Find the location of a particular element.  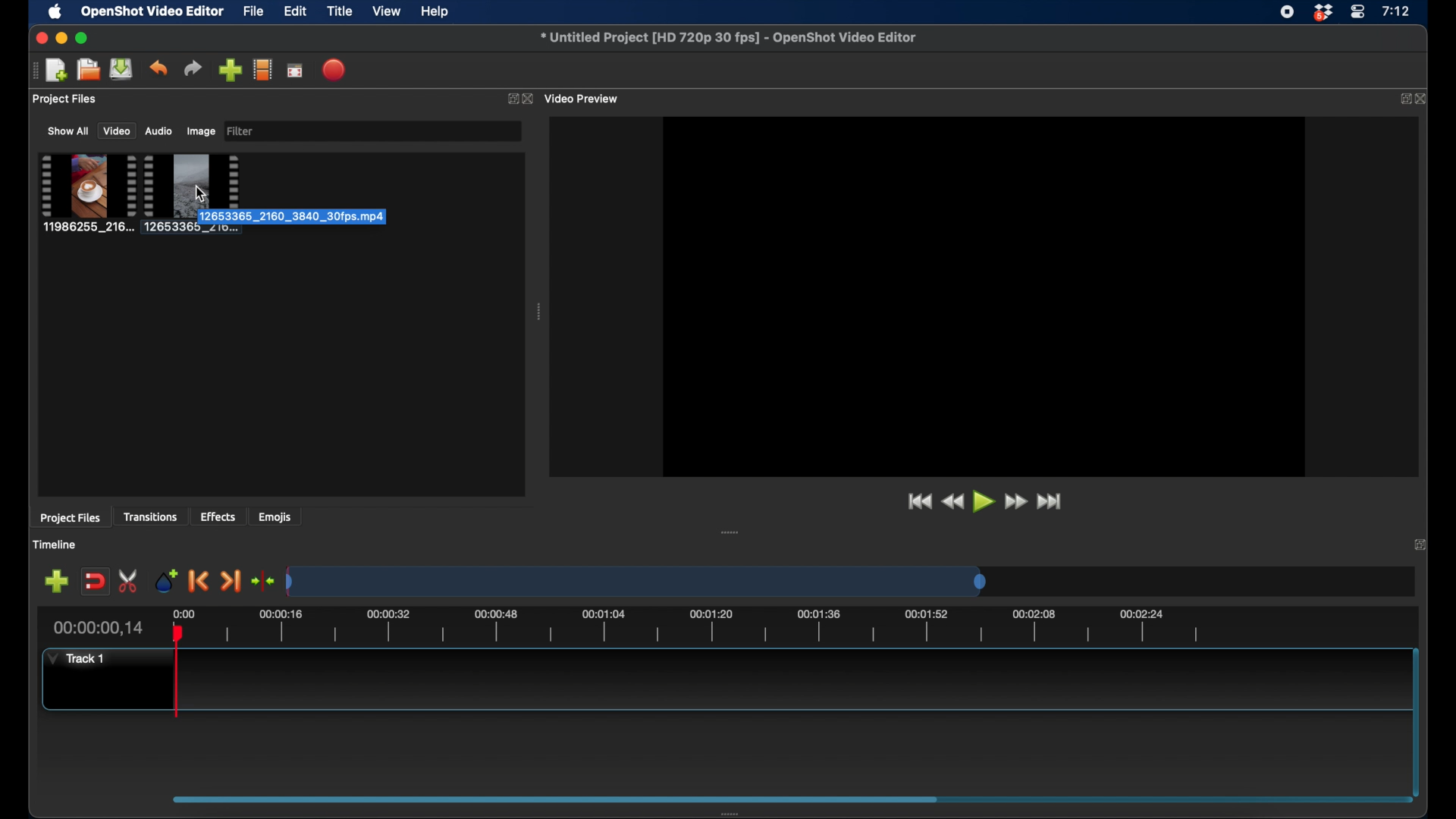

project files is located at coordinates (64, 99).